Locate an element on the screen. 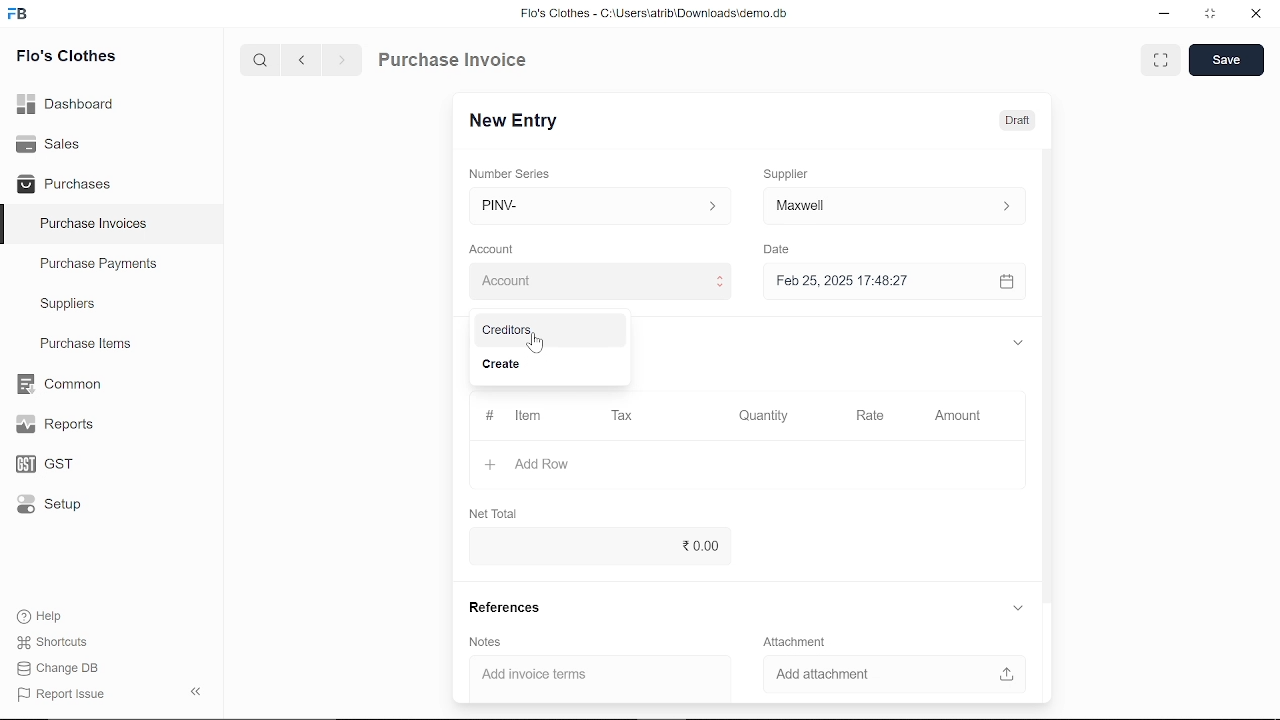 This screenshot has height=720, width=1280. Purchase Invoice is located at coordinates (456, 62).